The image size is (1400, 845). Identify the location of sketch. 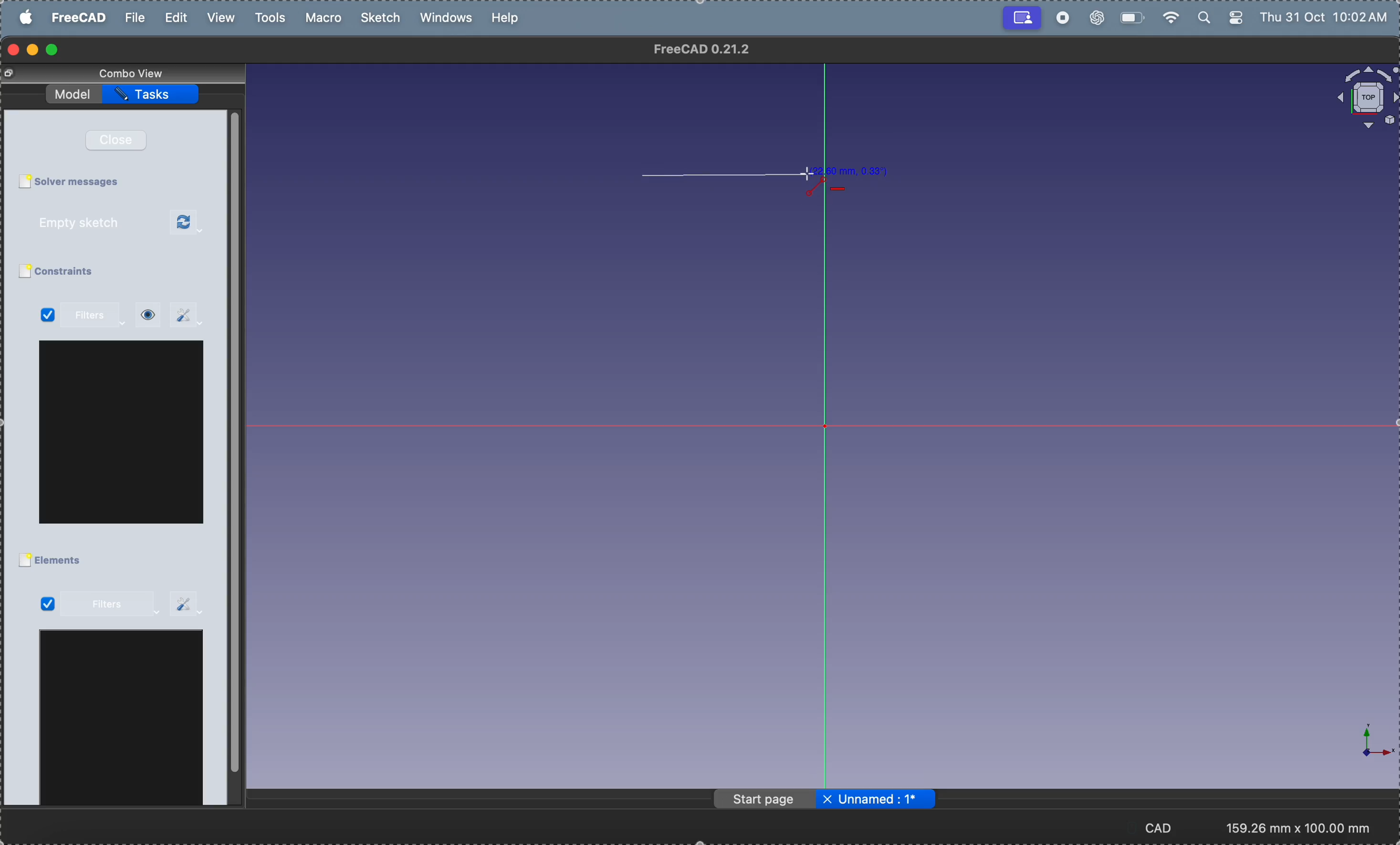
(383, 18).